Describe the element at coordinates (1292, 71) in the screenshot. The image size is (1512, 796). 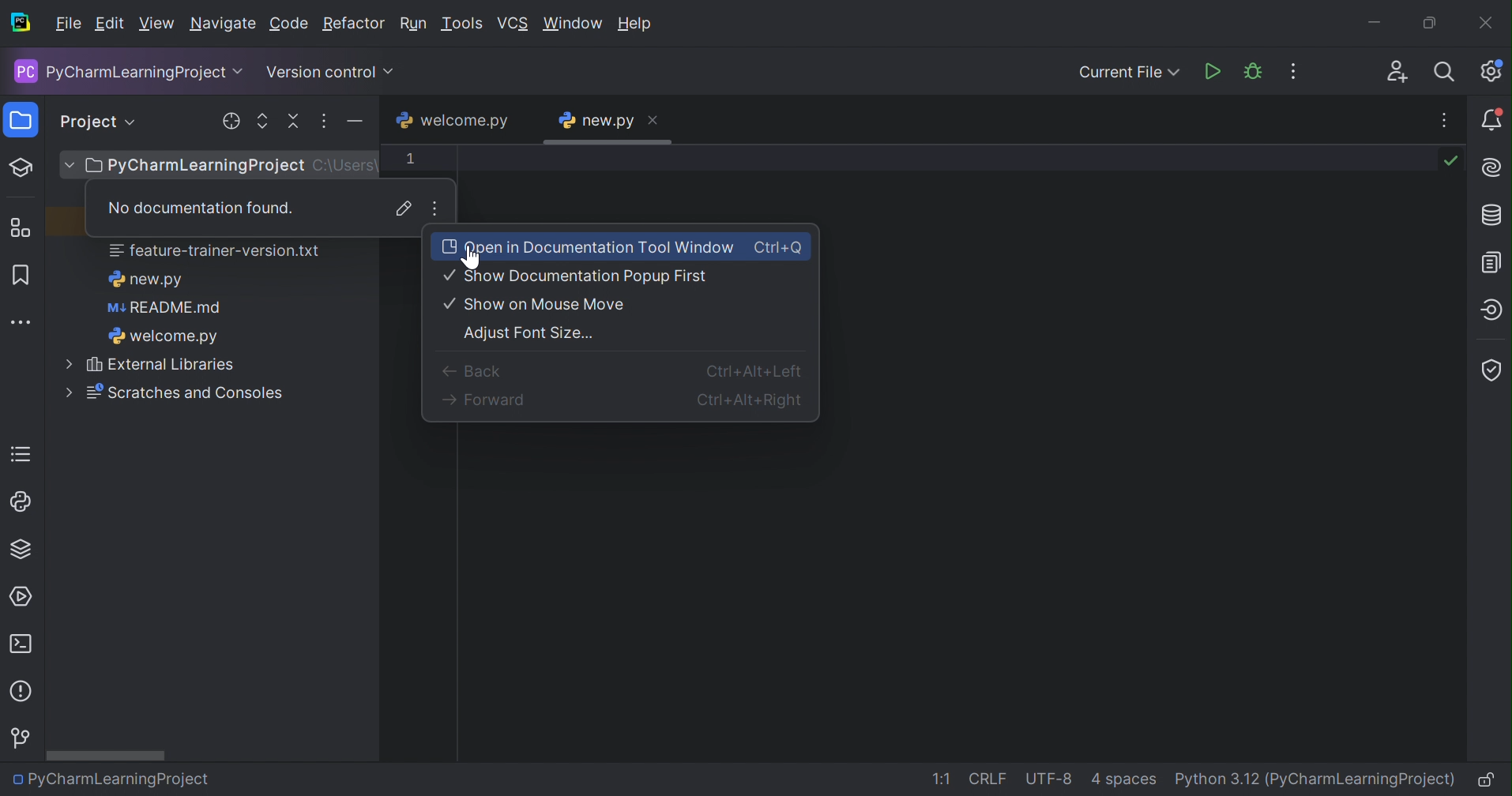
I see `More Actions` at that location.